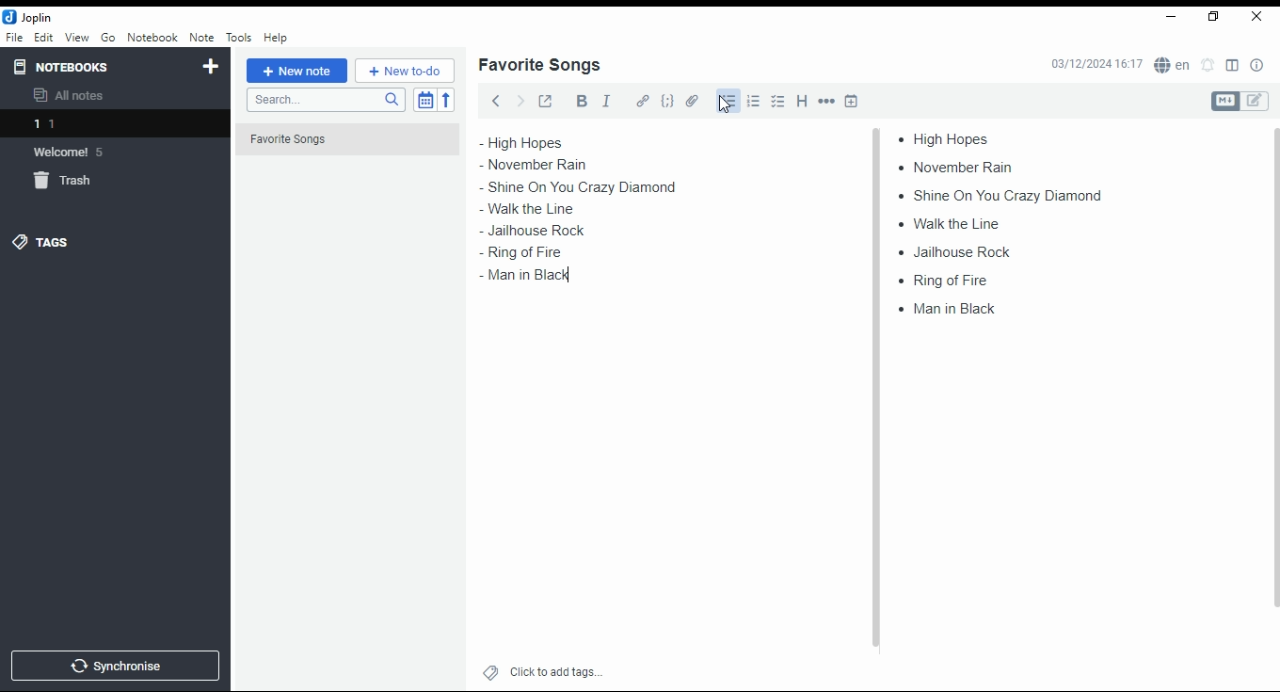  I want to click on restore, so click(1216, 17).